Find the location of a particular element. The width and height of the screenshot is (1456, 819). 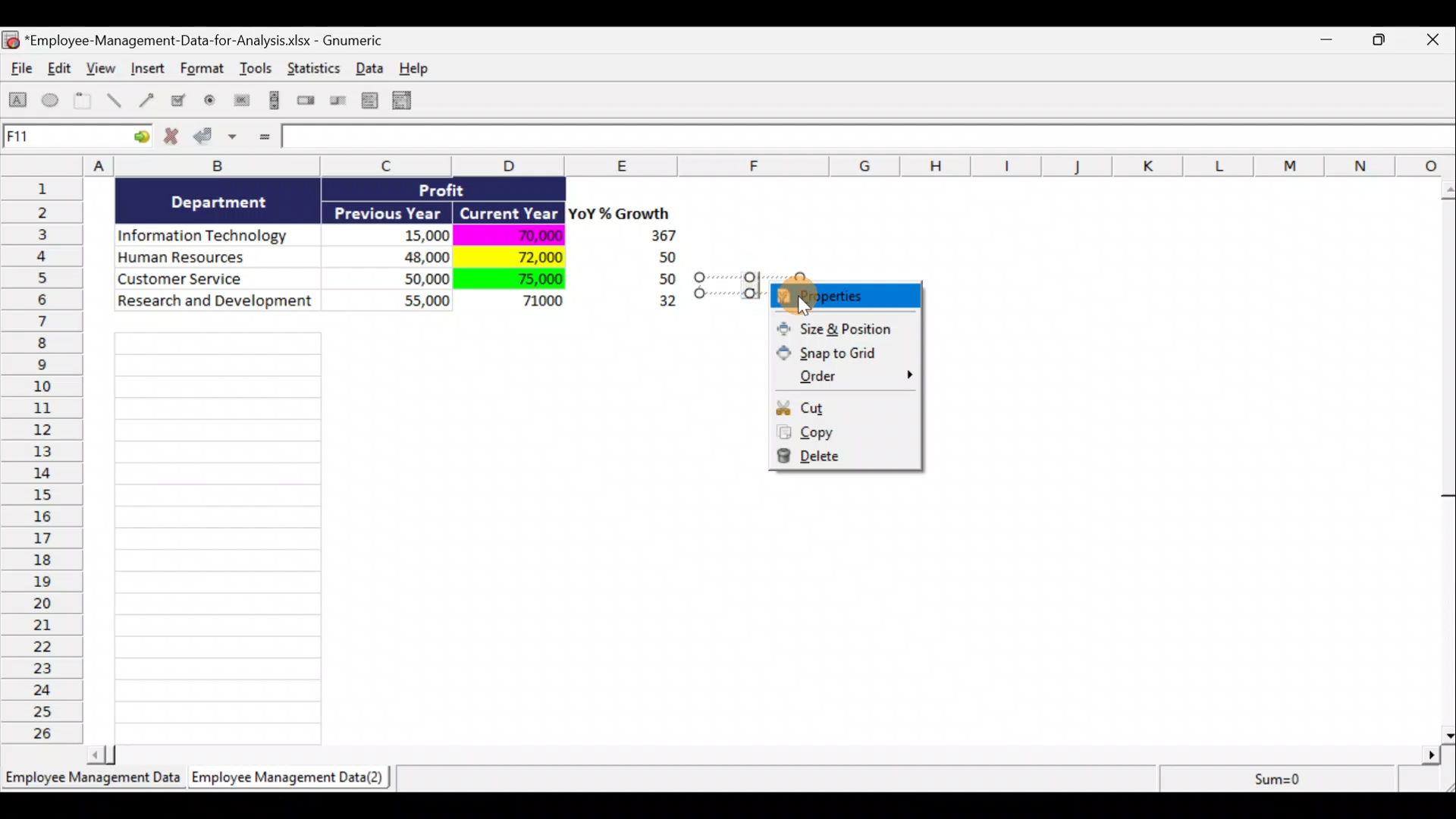

View is located at coordinates (103, 68).